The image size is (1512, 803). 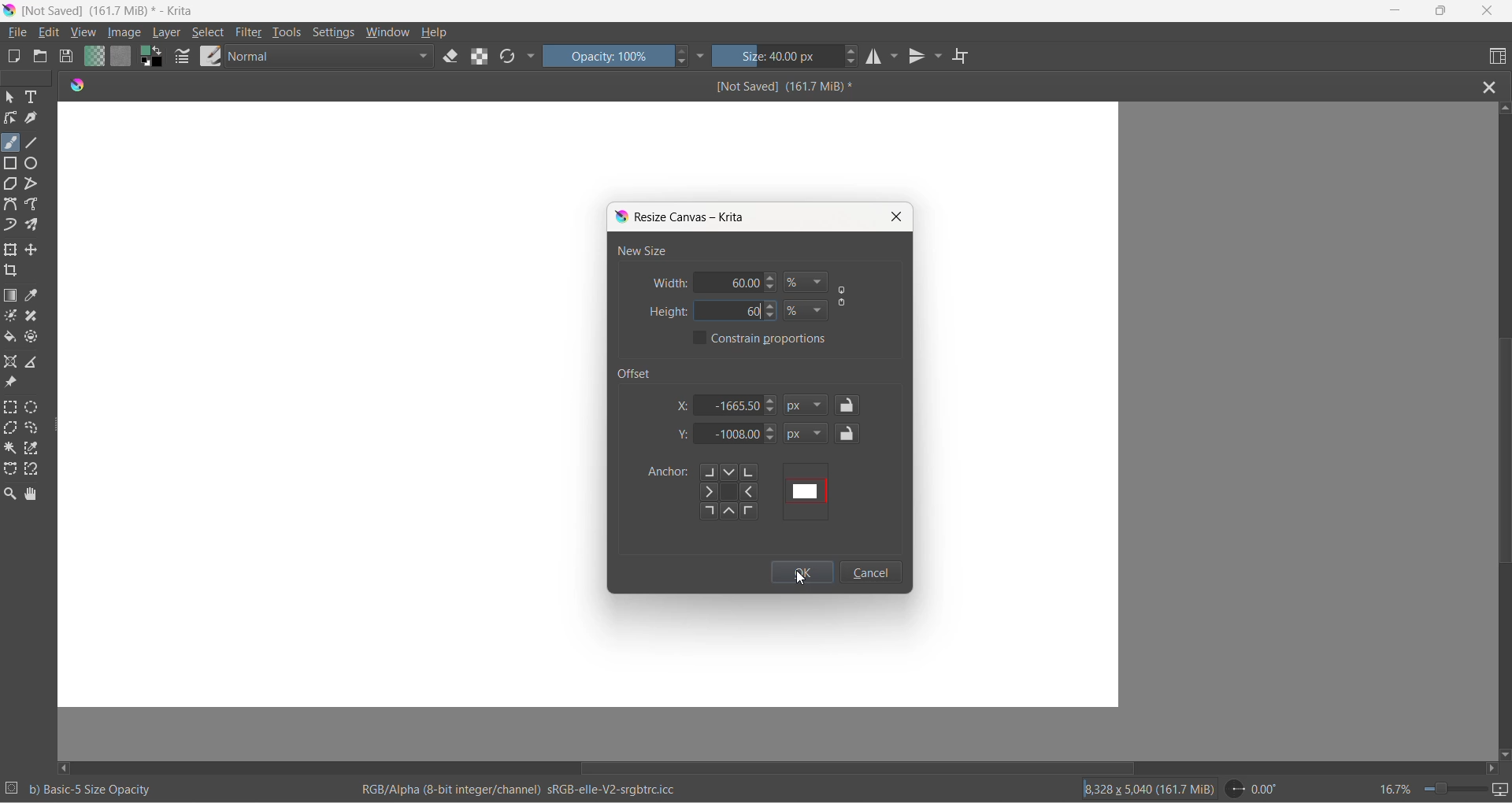 I want to click on magnetic curve selection tool, so click(x=35, y=471).